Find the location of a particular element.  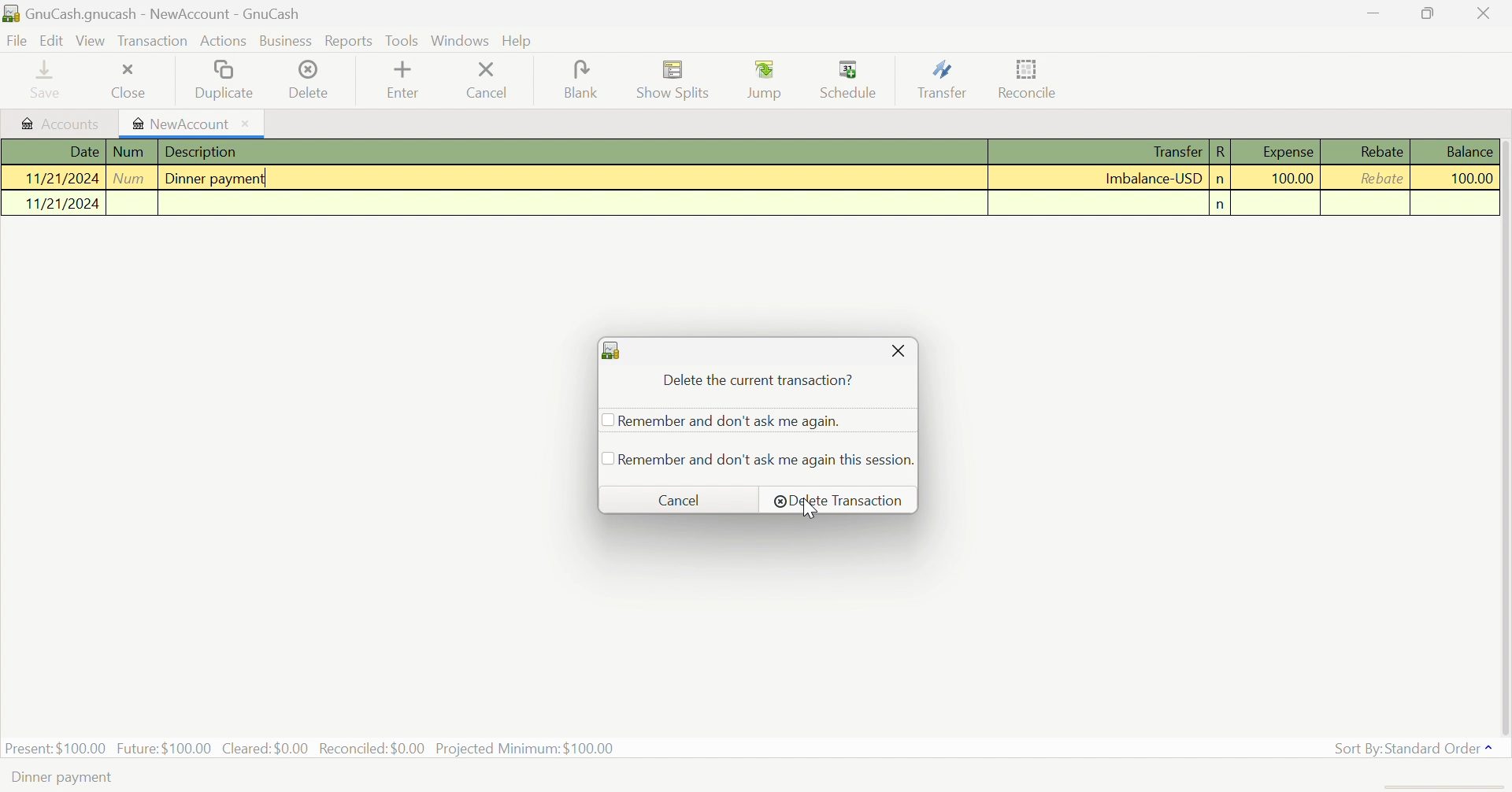

Present: $100.00 is located at coordinates (56, 749).